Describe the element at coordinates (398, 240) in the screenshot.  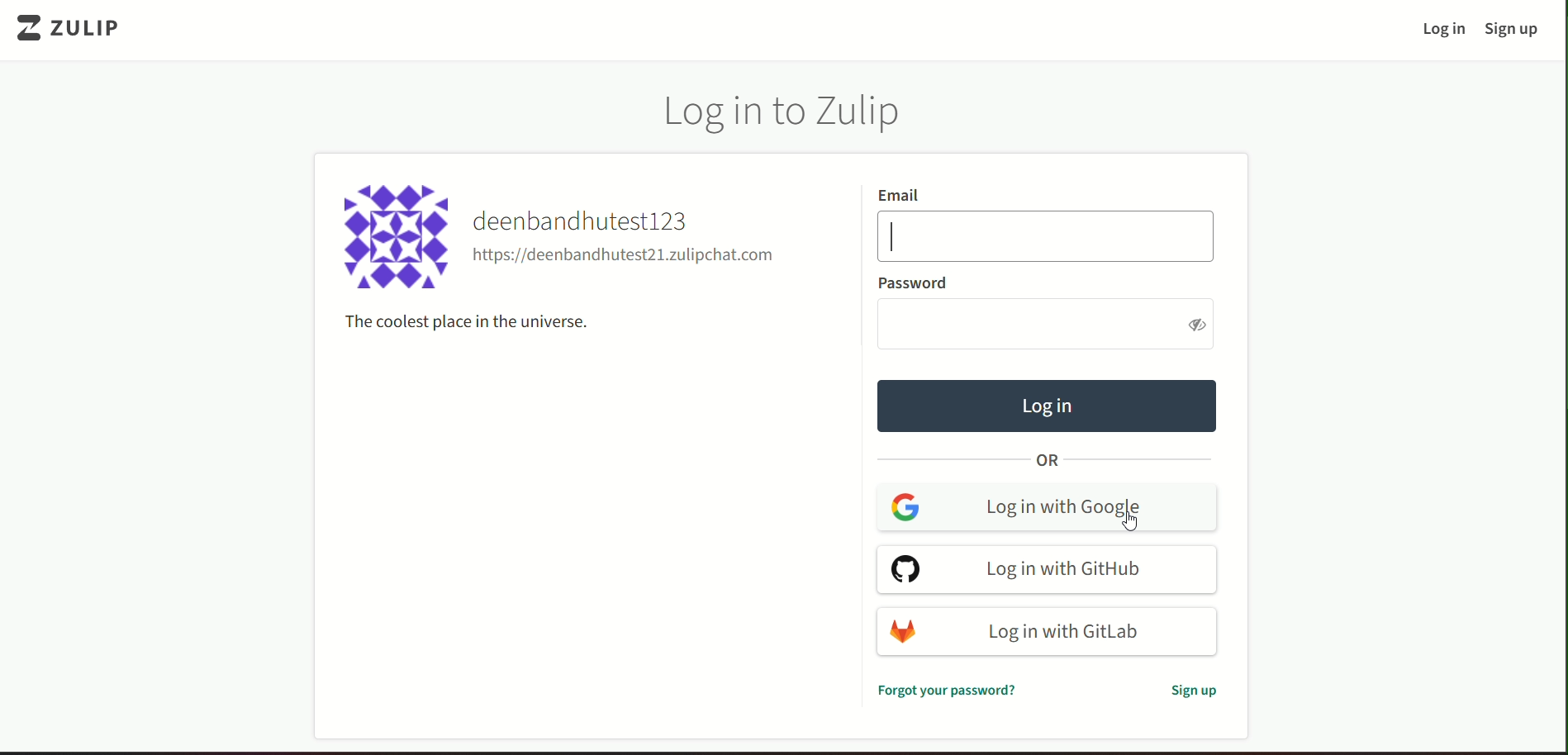
I see `icon` at that location.